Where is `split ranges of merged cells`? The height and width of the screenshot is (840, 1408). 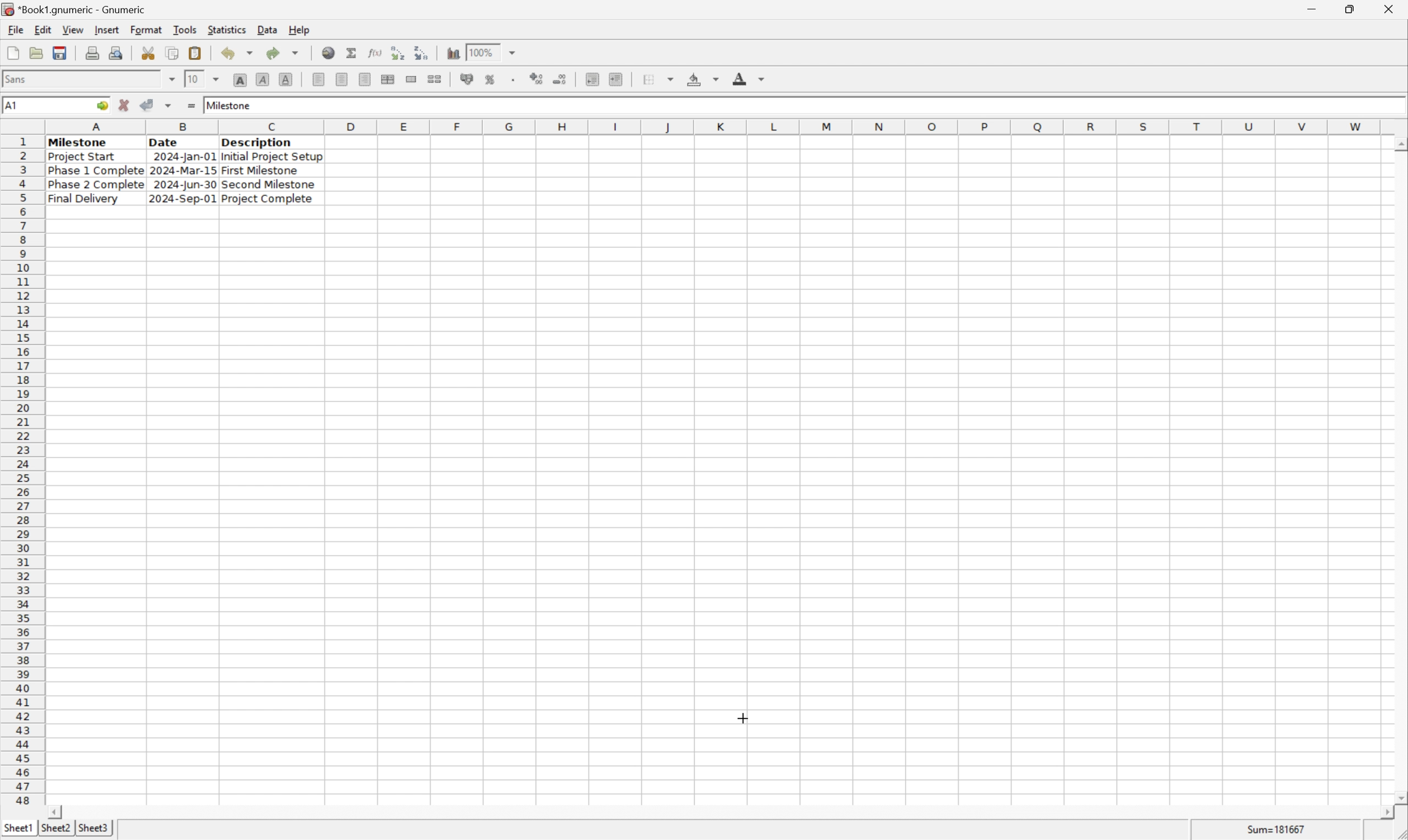
split ranges of merged cells is located at coordinates (435, 79).